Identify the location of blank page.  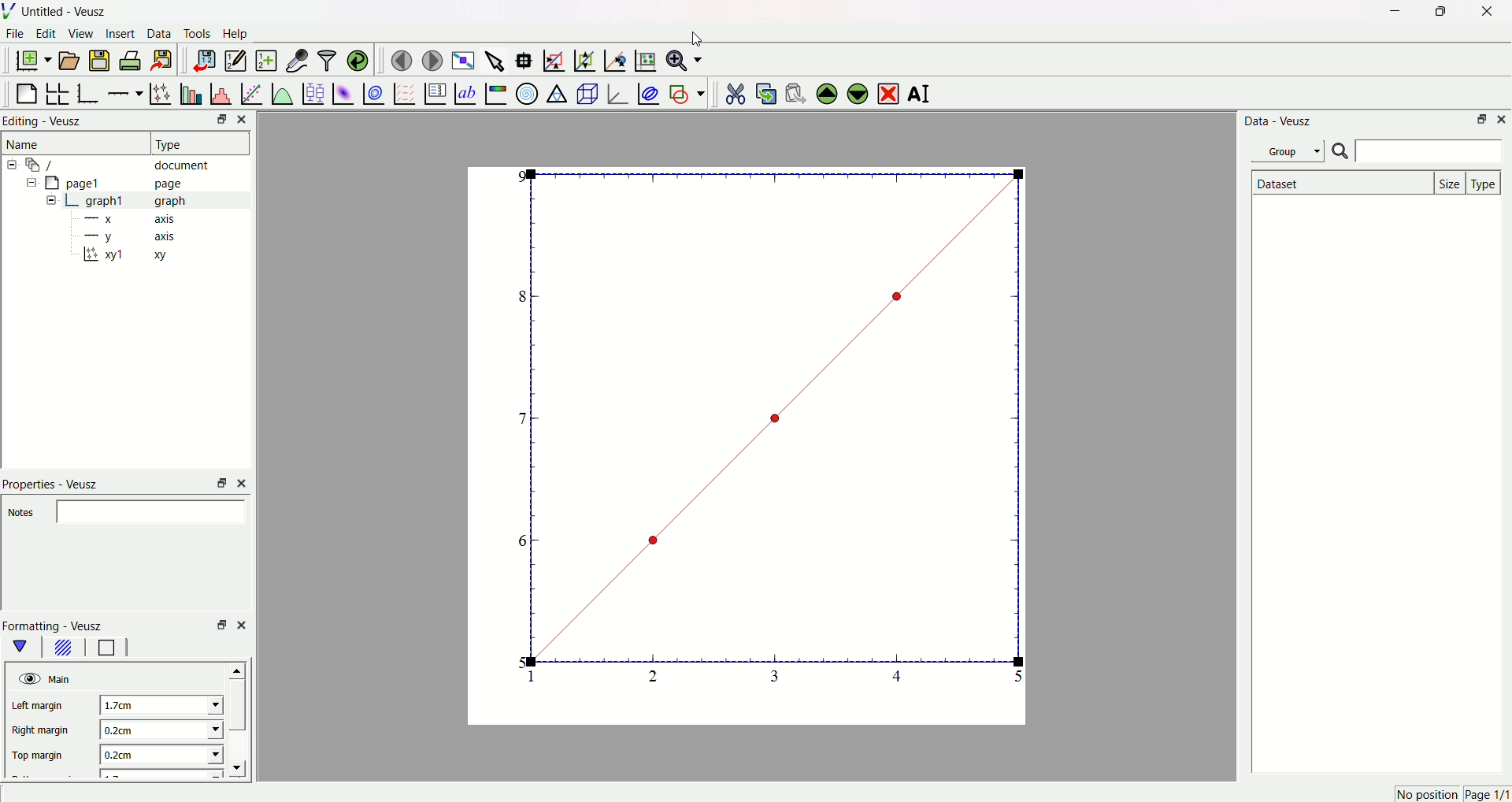
(28, 90).